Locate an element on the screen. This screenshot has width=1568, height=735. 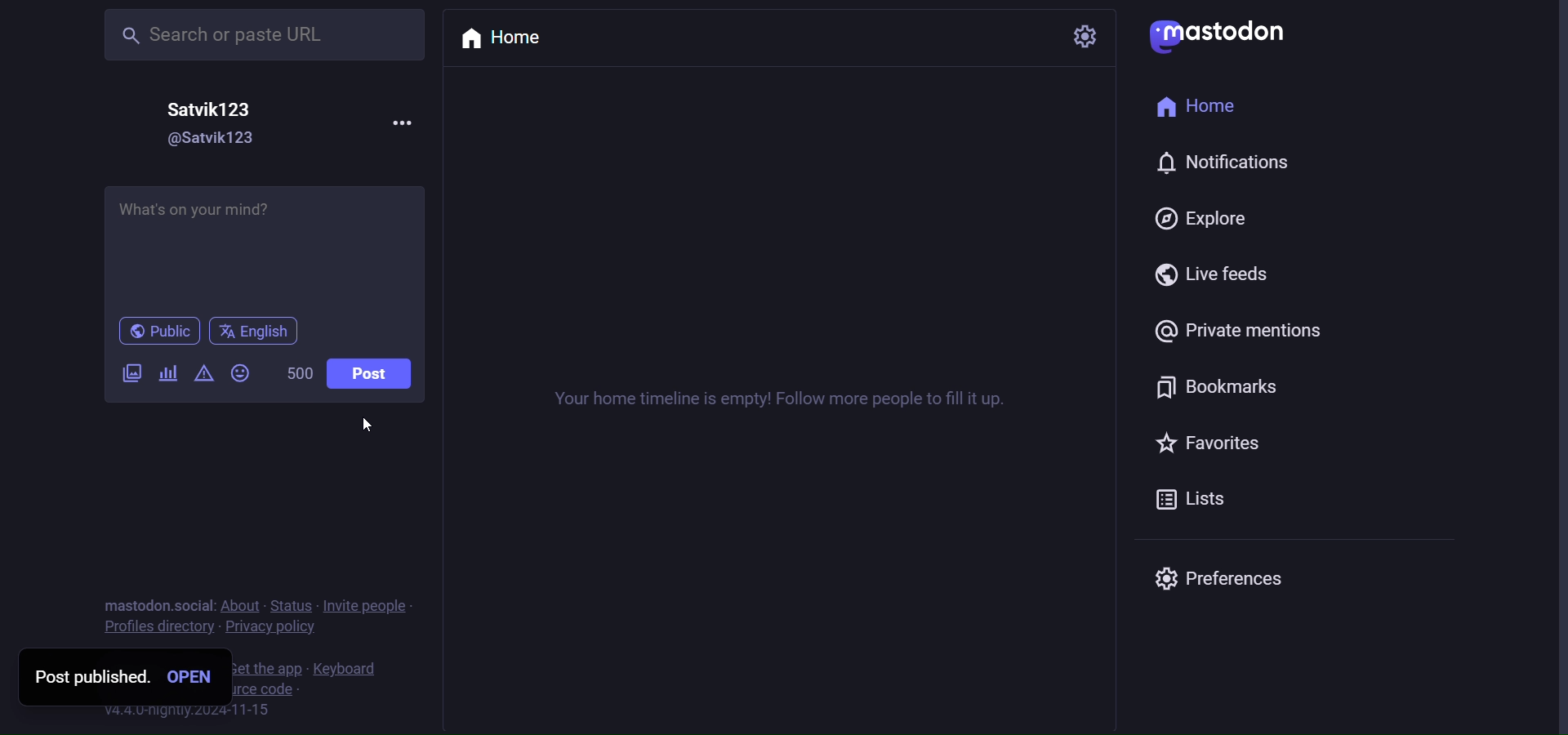
word limit is located at coordinates (300, 374).